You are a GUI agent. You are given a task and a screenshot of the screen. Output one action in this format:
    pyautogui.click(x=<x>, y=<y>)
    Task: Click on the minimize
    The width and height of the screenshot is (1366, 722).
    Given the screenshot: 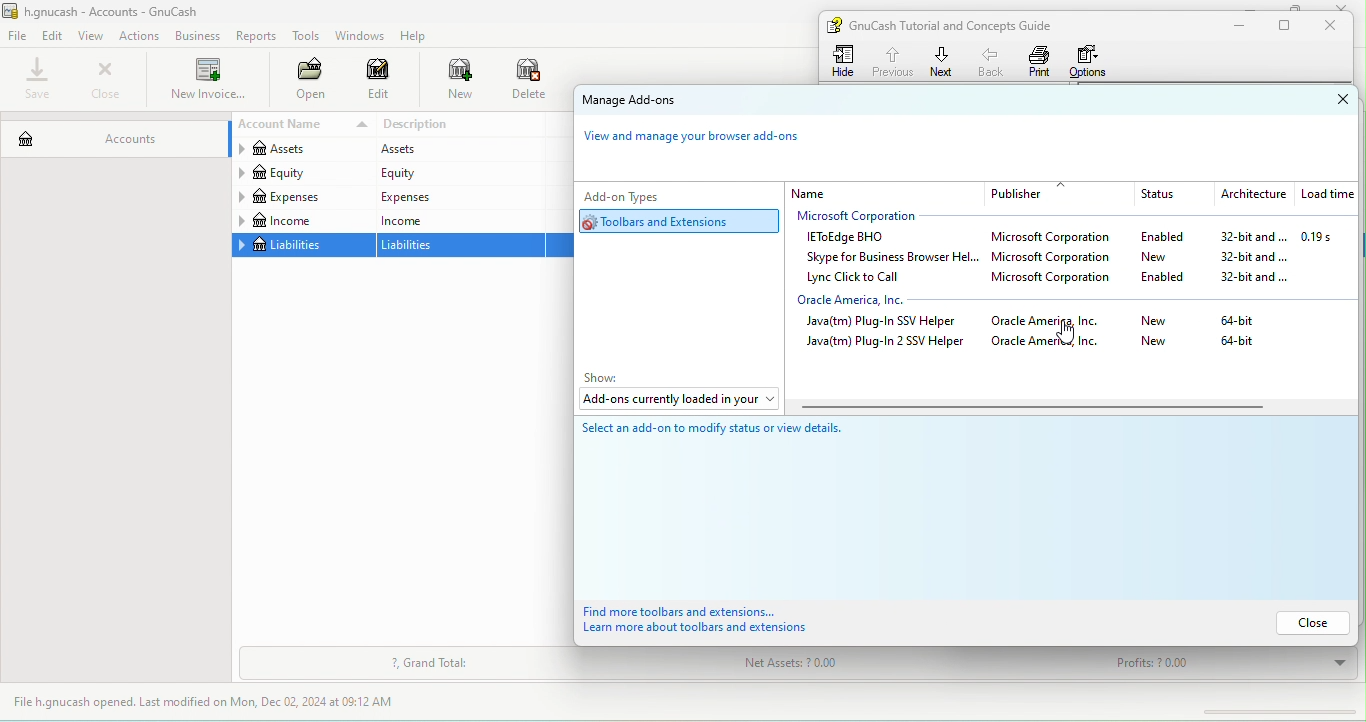 What is the action you would take?
    pyautogui.click(x=1235, y=26)
    